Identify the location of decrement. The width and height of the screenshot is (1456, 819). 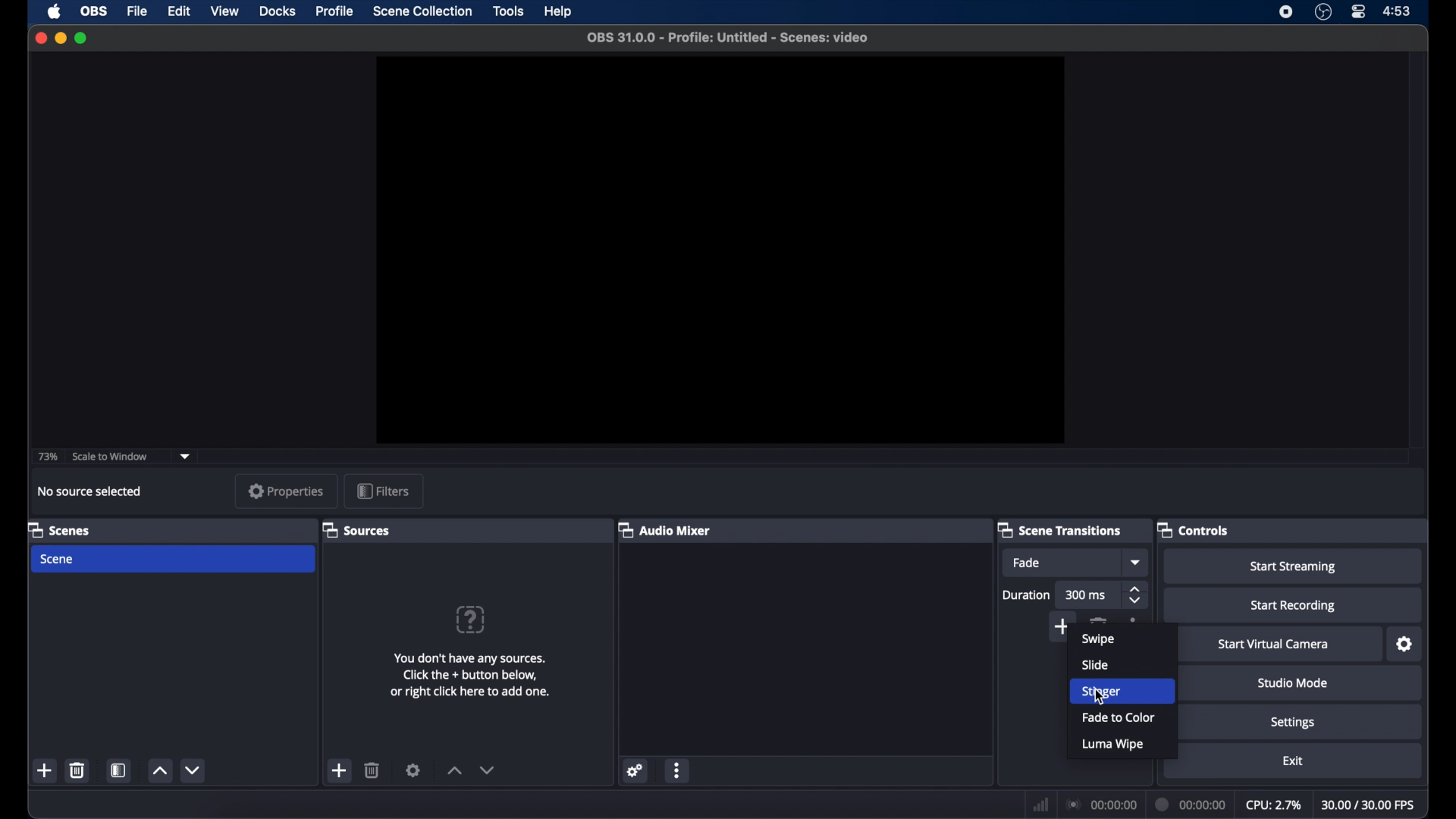
(194, 770).